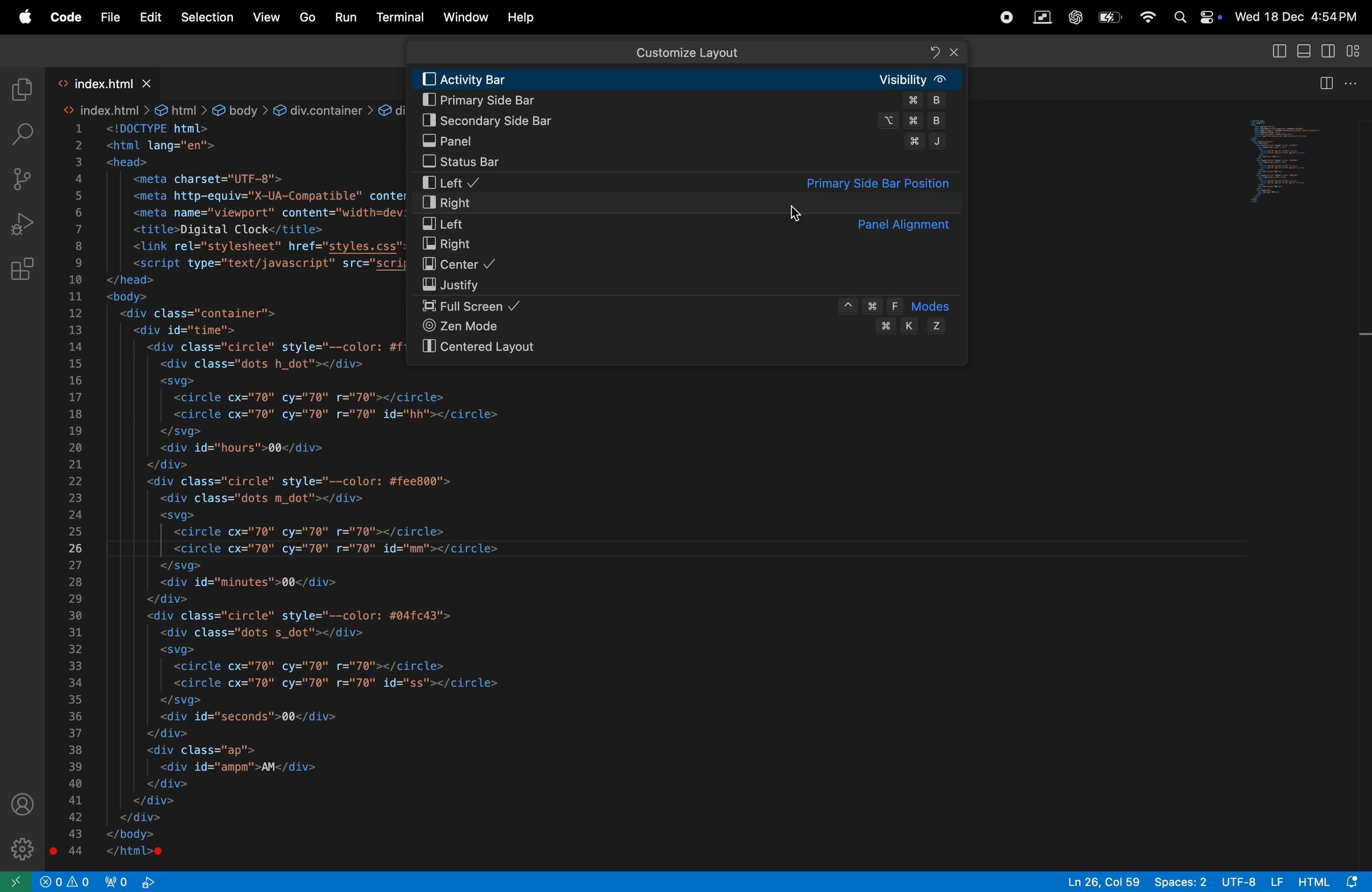 This screenshot has width=1372, height=892. What do you see at coordinates (109, 18) in the screenshot?
I see `File` at bounding box center [109, 18].